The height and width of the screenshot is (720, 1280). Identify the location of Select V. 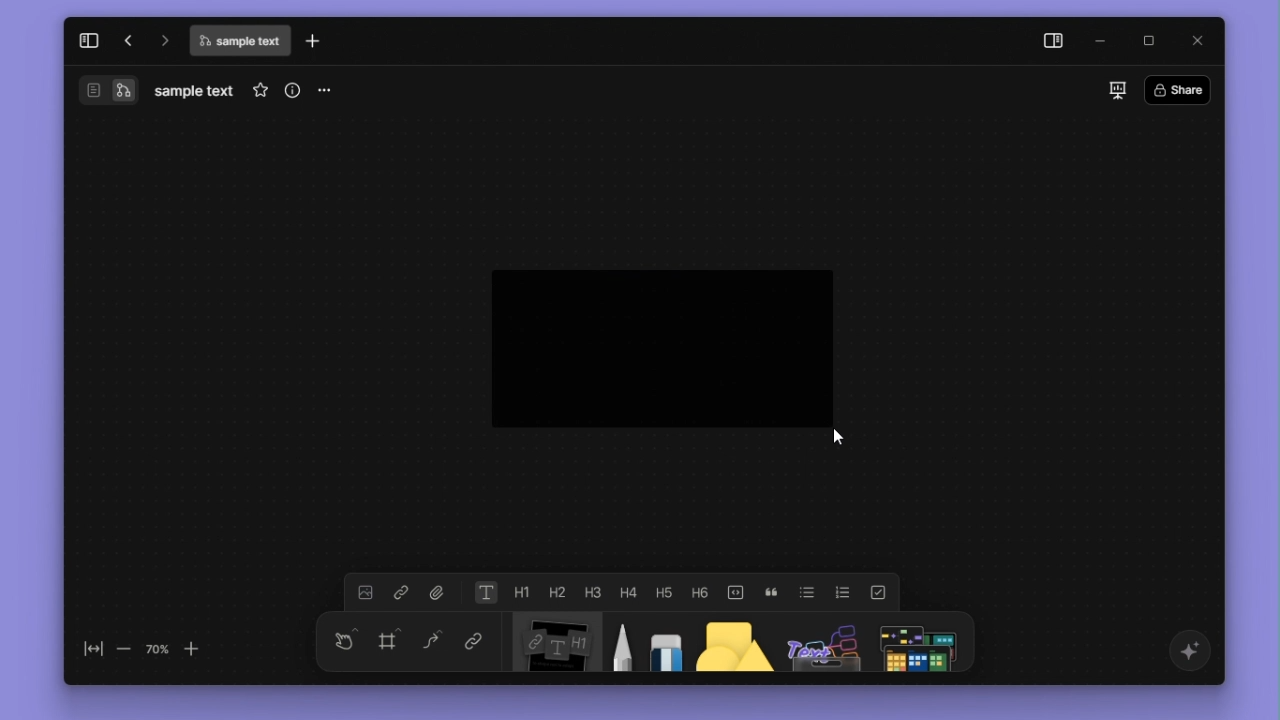
(341, 638).